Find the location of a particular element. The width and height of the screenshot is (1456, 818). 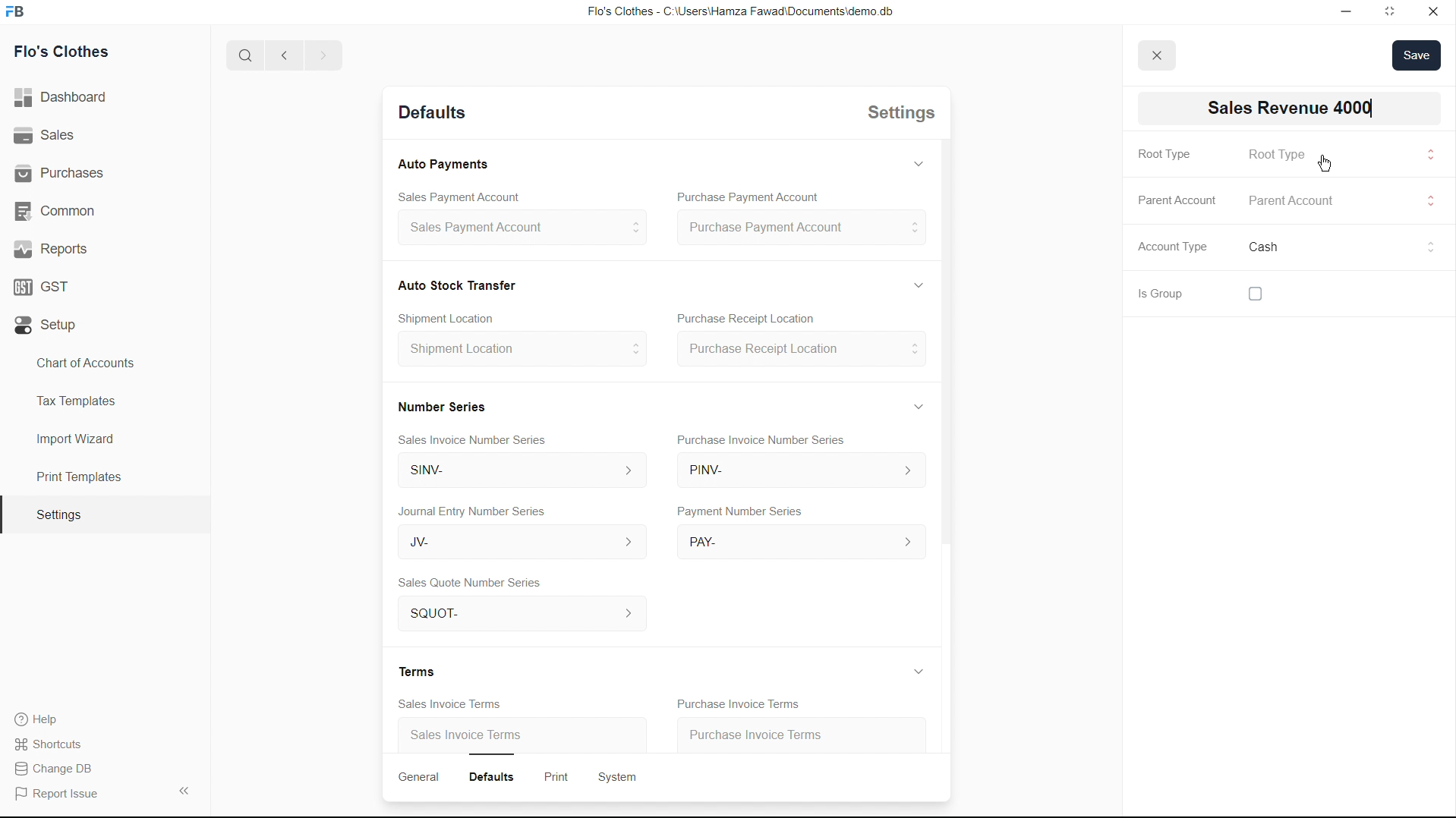

SQuOT- > is located at coordinates (517, 615).